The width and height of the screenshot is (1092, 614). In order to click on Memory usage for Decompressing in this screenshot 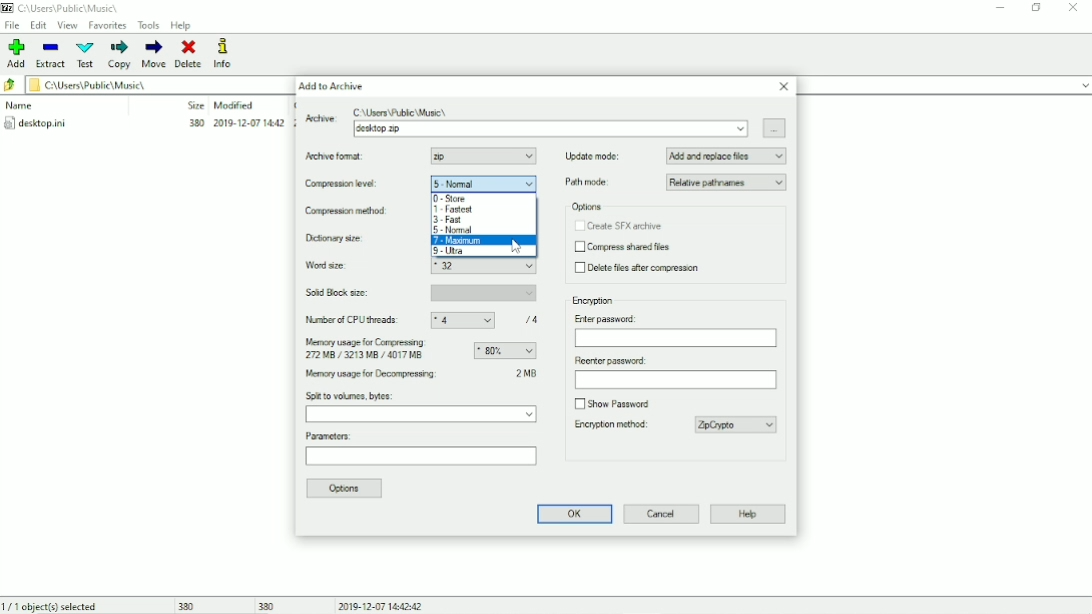, I will do `click(421, 376)`.